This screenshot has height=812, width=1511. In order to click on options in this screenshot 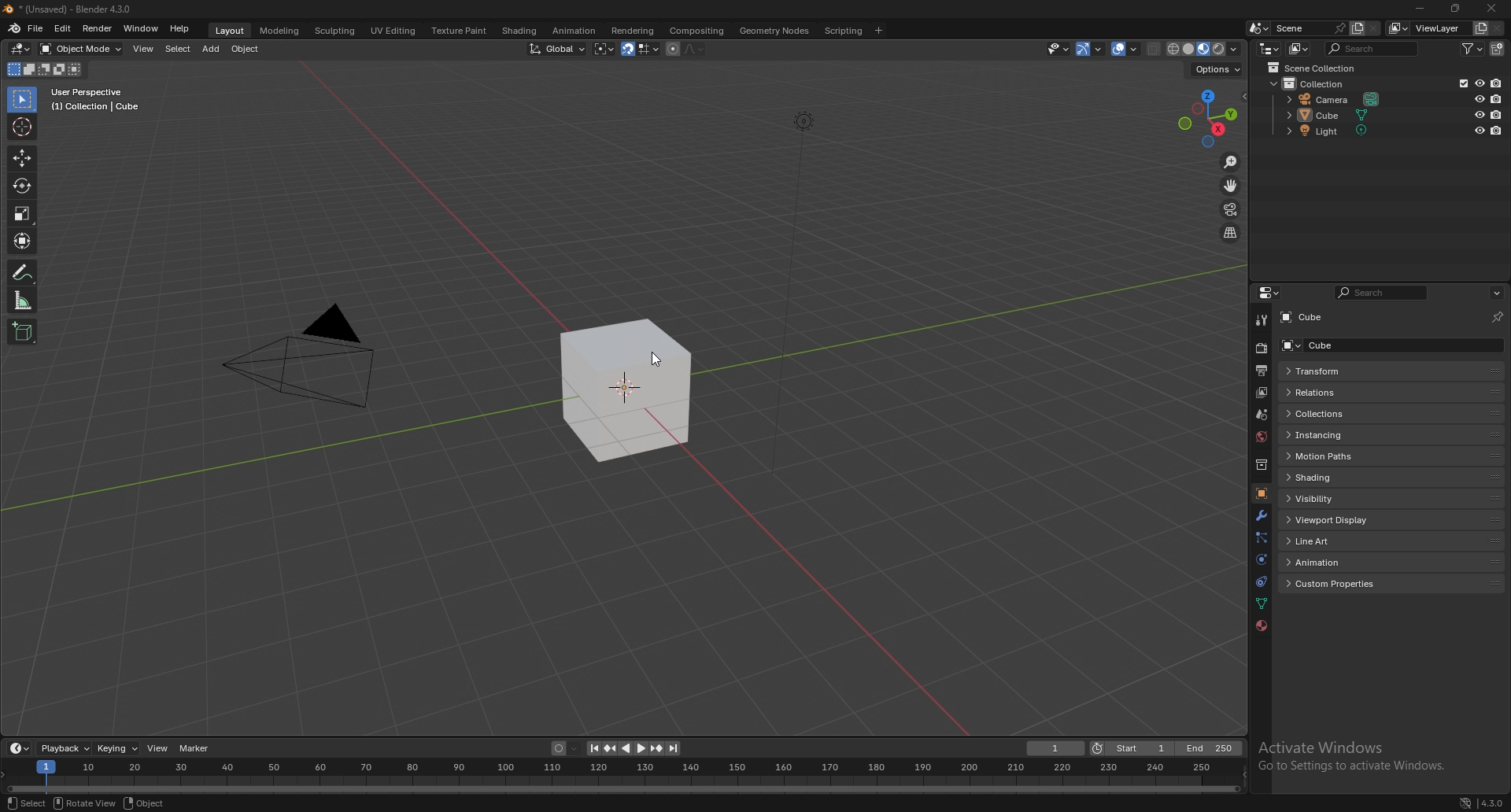, I will do `click(1496, 293)`.